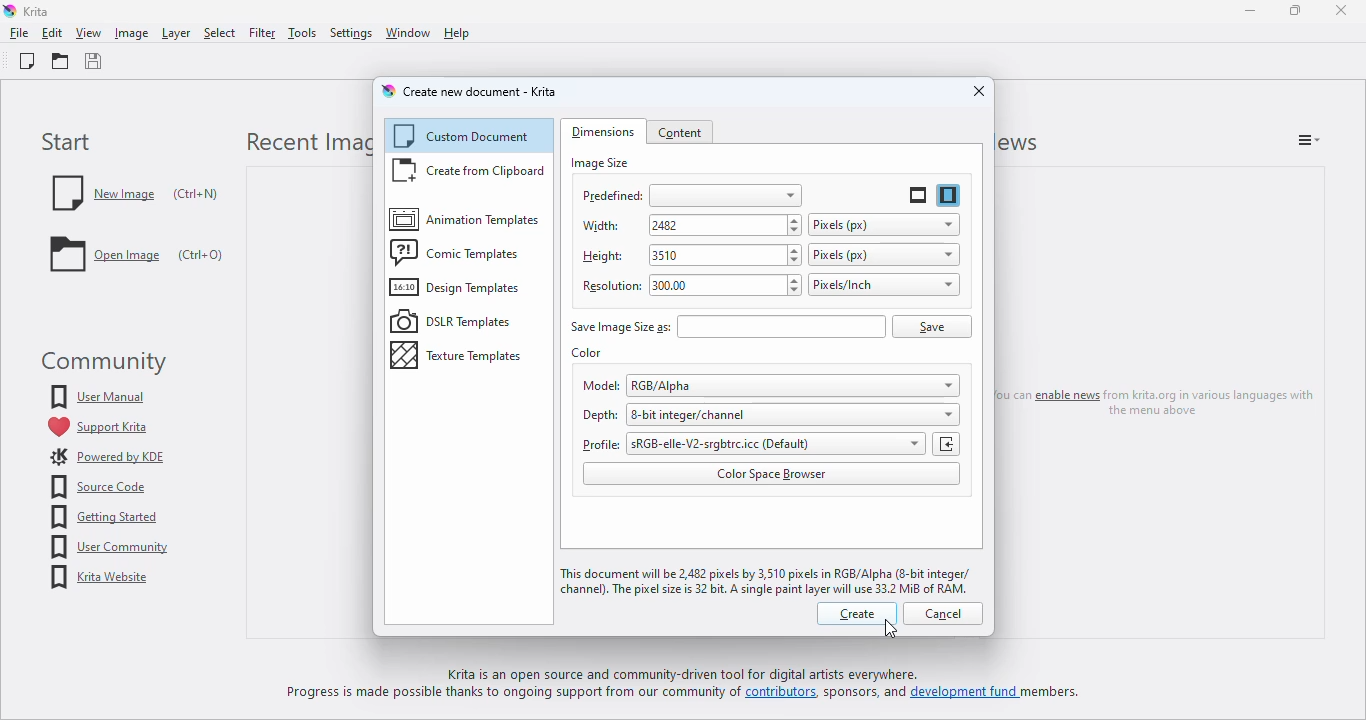  What do you see at coordinates (38, 11) in the screenshot?
I see `krita` at bounding box center [38, 11].